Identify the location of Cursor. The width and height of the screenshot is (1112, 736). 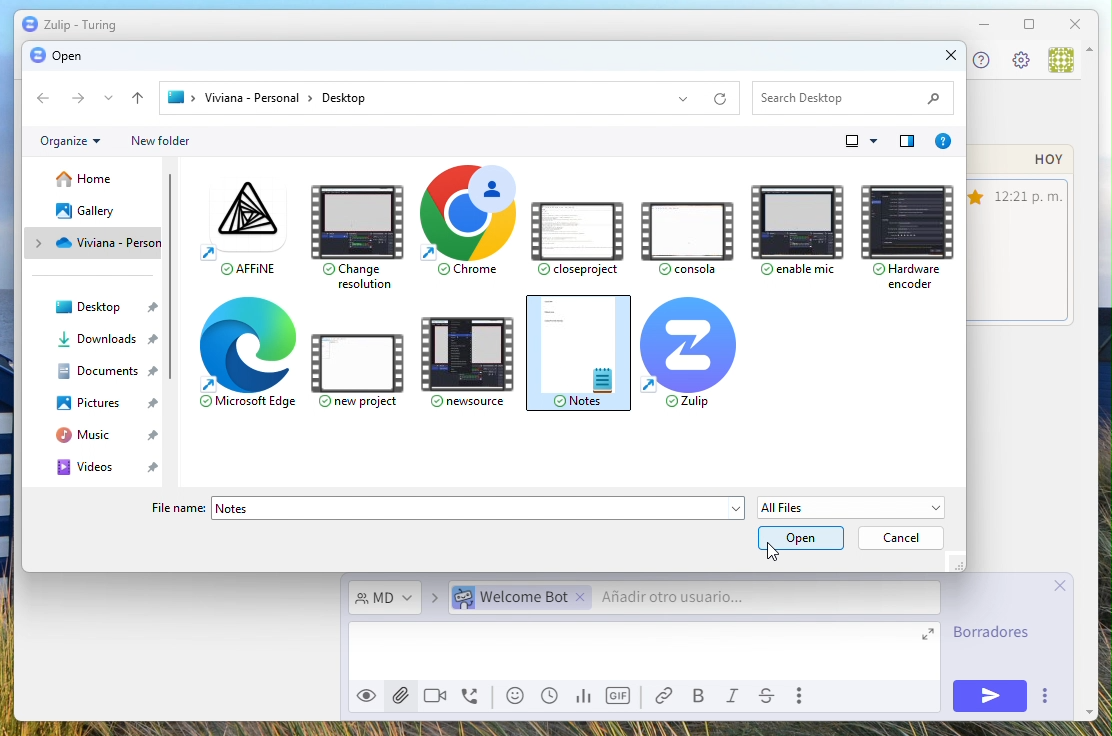
(777, 554).